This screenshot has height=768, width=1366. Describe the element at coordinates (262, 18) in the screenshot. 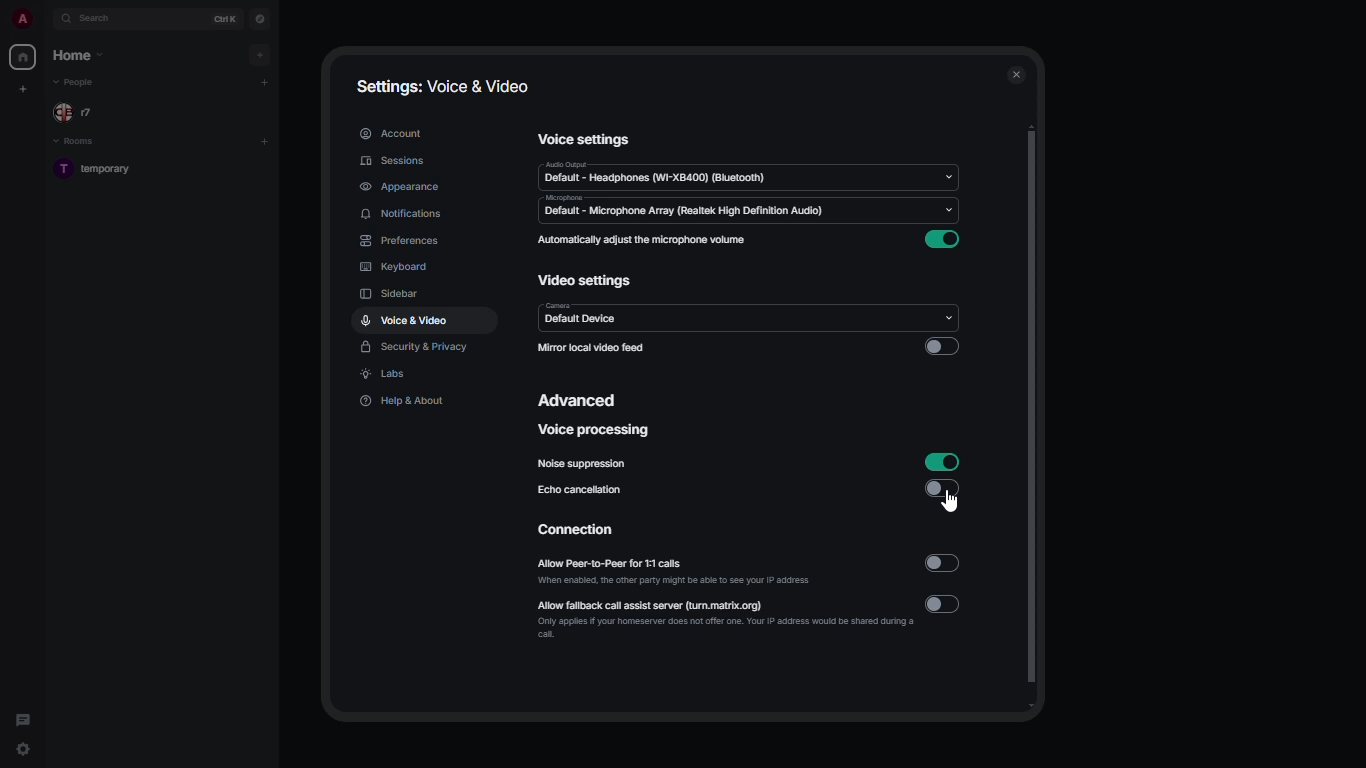

I see `navigator` at that location.